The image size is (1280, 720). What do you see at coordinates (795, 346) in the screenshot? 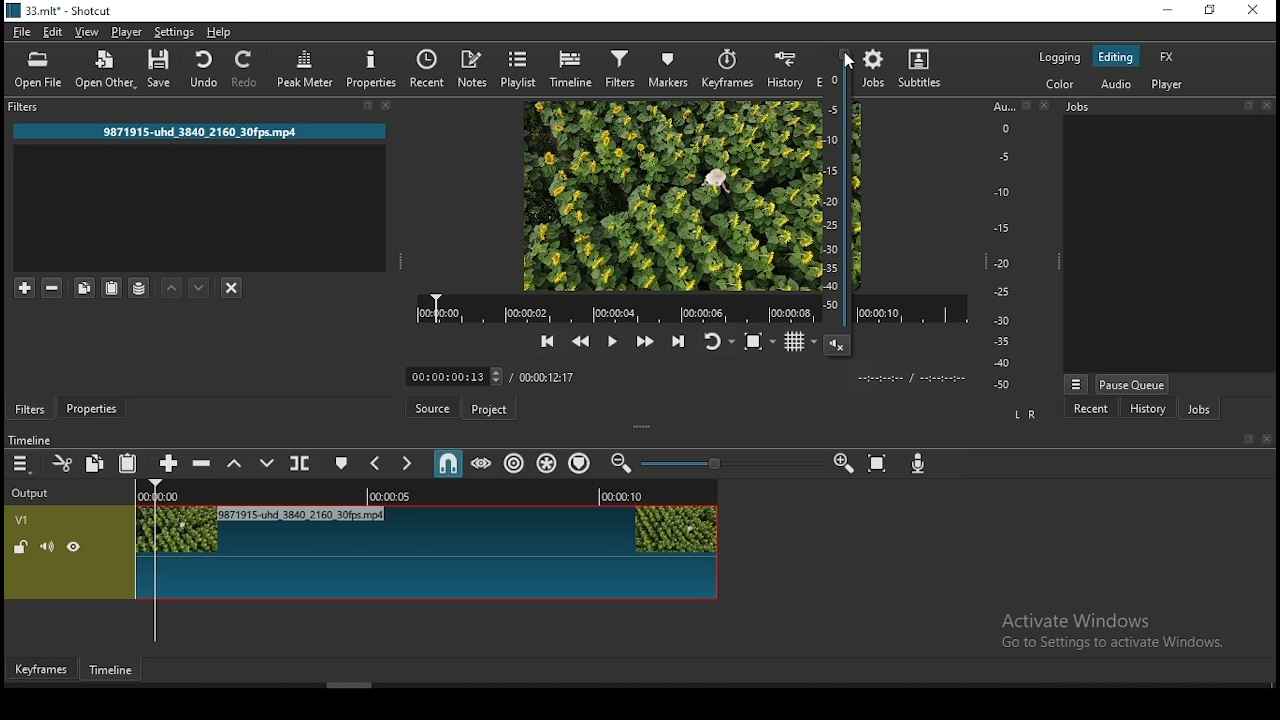
I see `toggle grid display on player` at bounding box center [795, 346].